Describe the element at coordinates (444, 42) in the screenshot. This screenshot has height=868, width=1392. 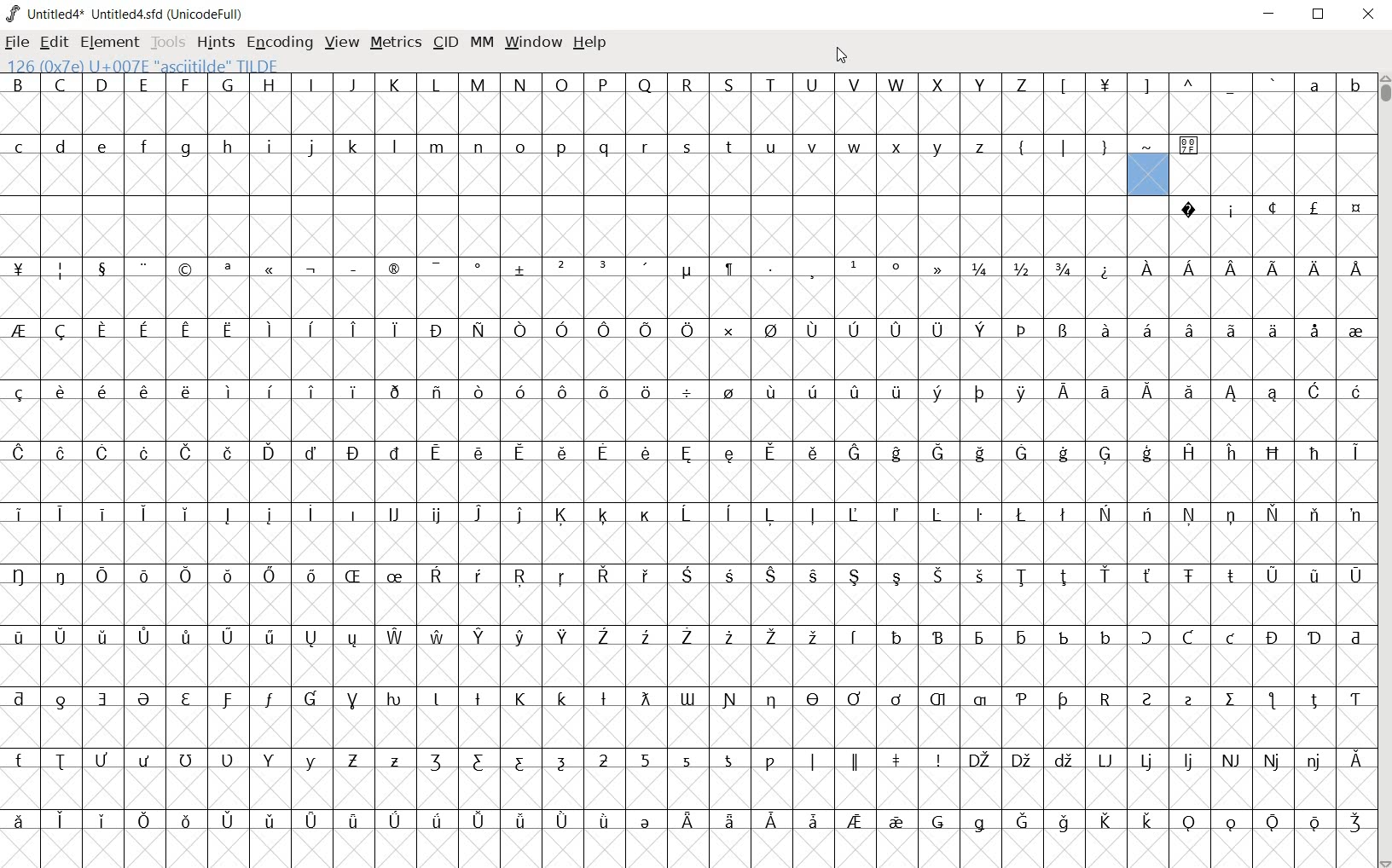
I see `CID` at that location.